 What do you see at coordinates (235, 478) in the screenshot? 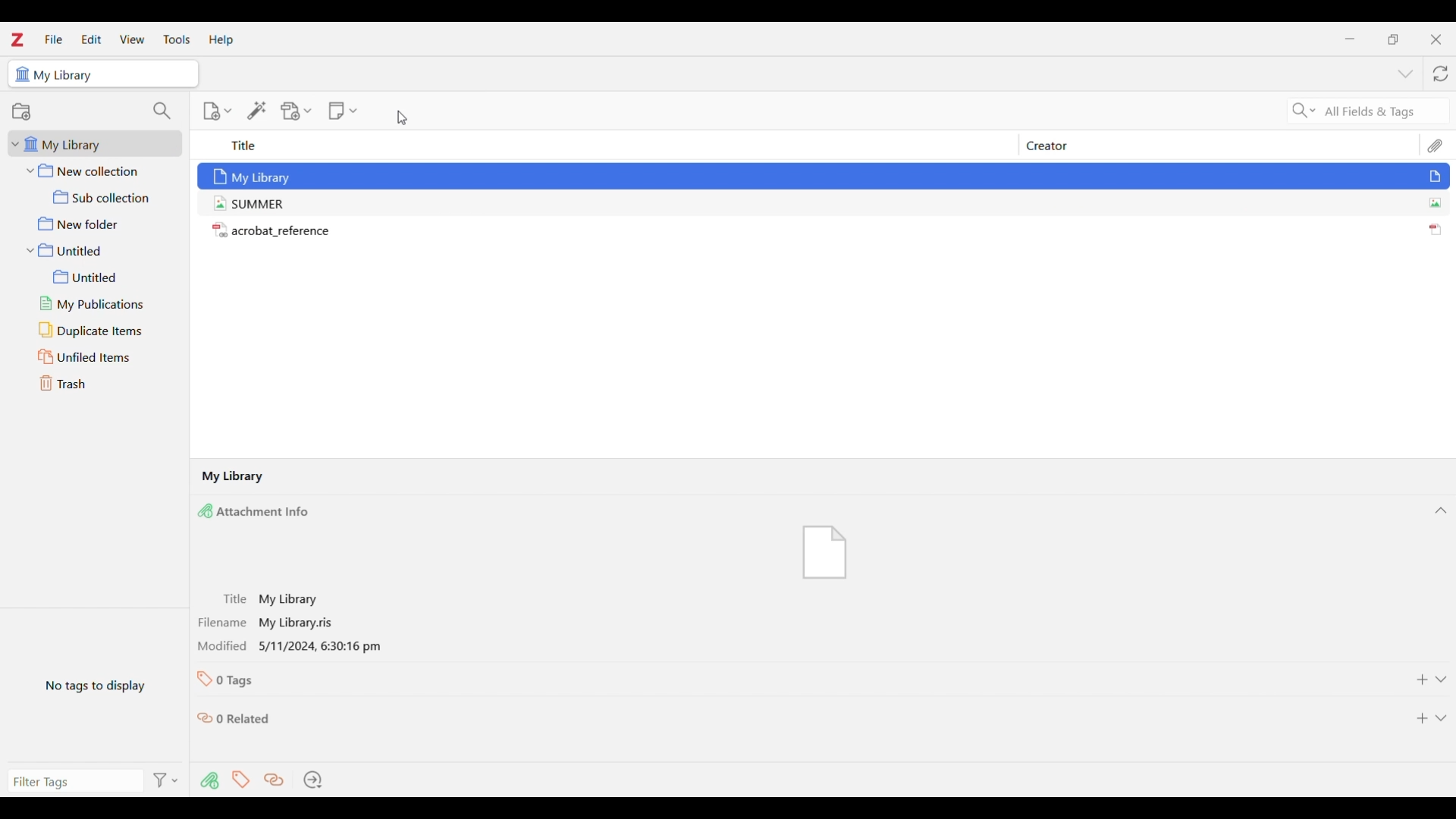
I see `My Library` at bounding box center [235, 478].